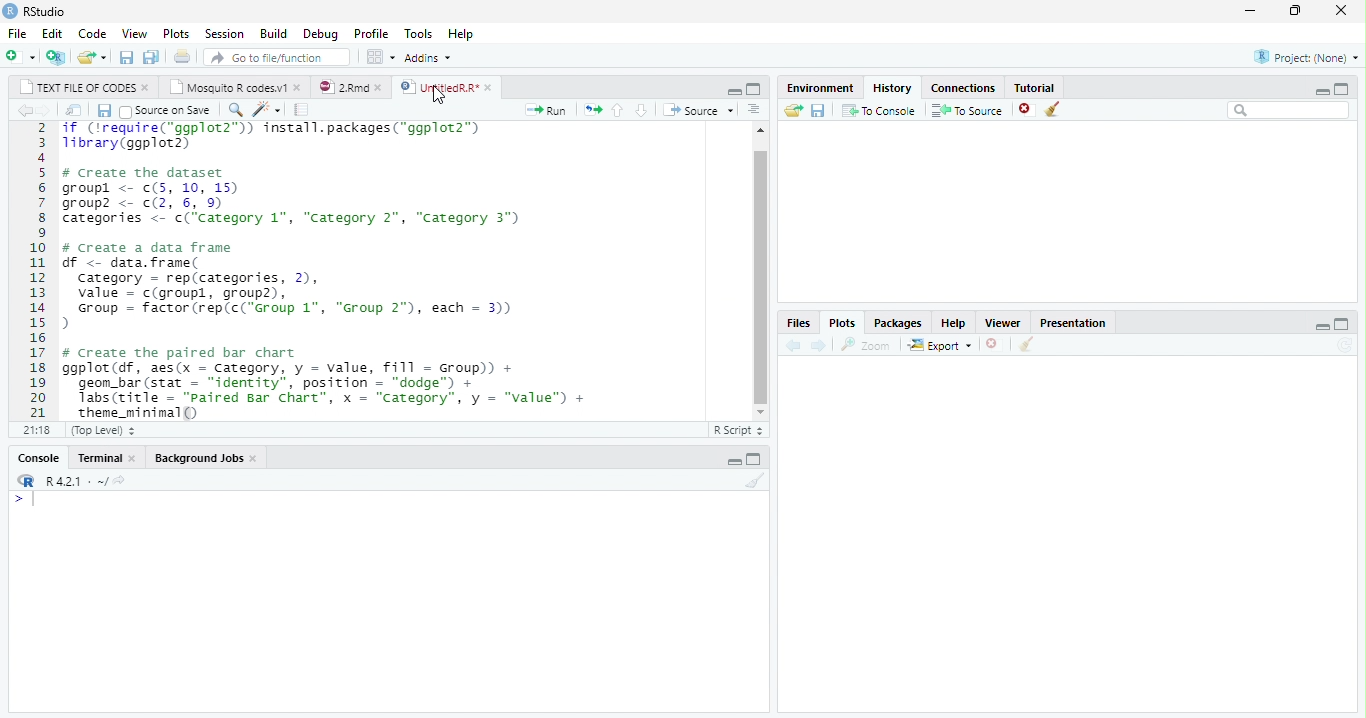 The image size is (1366, 718). Describe the element at coordinates (174, 32) in the screenshot. I see `plots` at that location.